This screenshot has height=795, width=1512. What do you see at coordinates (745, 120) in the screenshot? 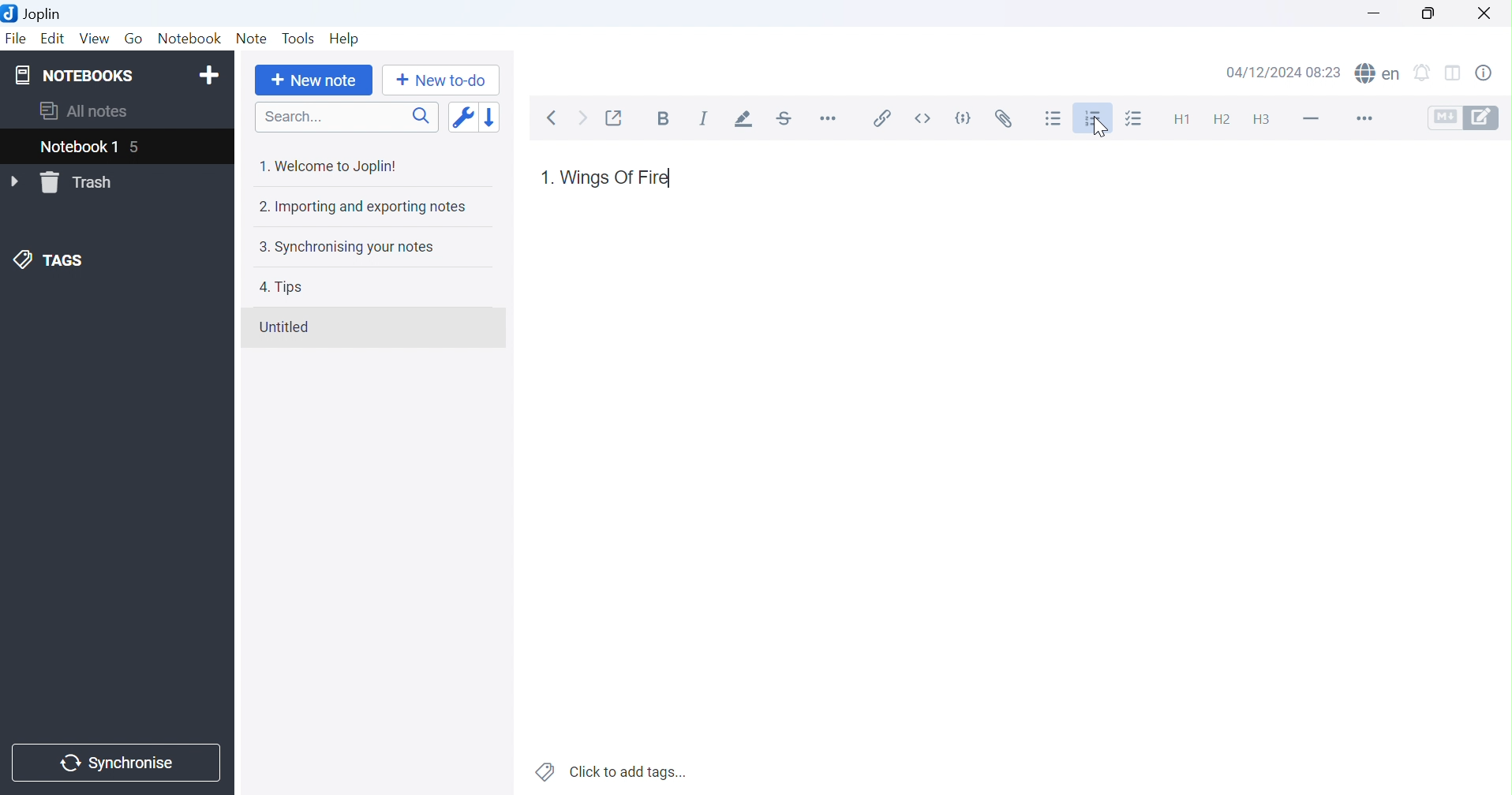
I see `Highlight` at bounding box center [745, 120].